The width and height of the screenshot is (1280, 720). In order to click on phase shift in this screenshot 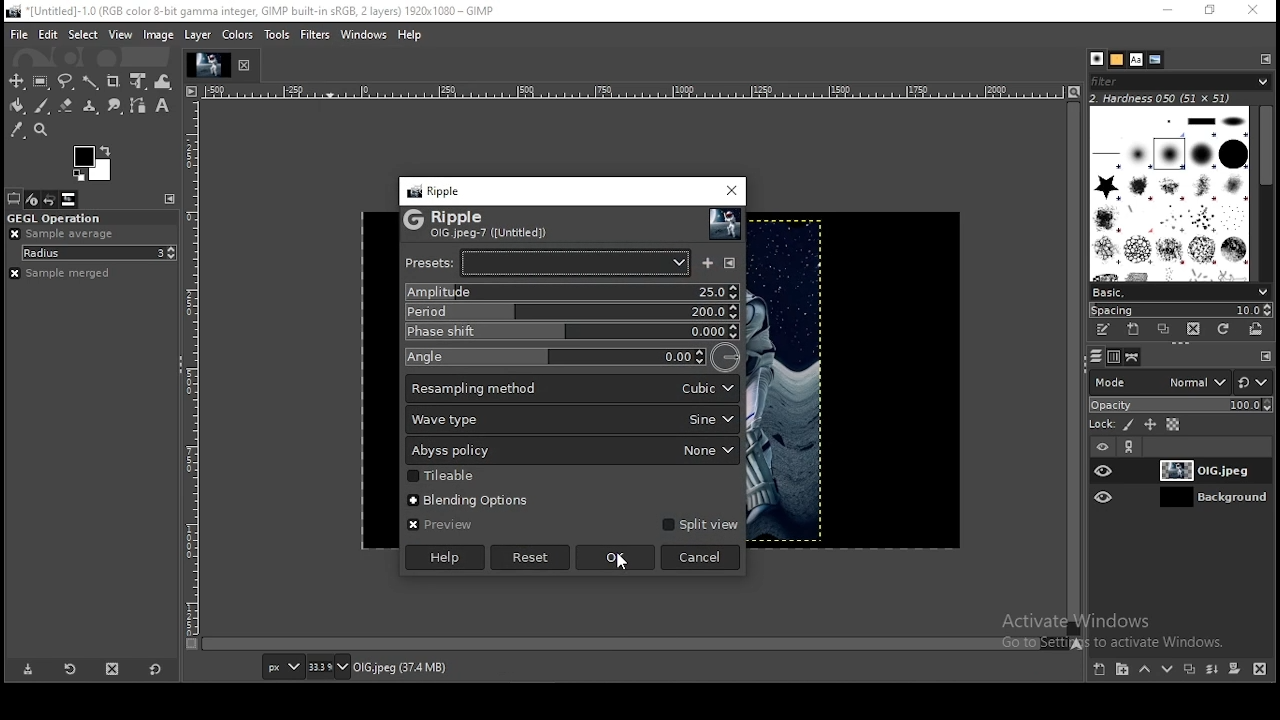, I will do `click(572, 332)`.